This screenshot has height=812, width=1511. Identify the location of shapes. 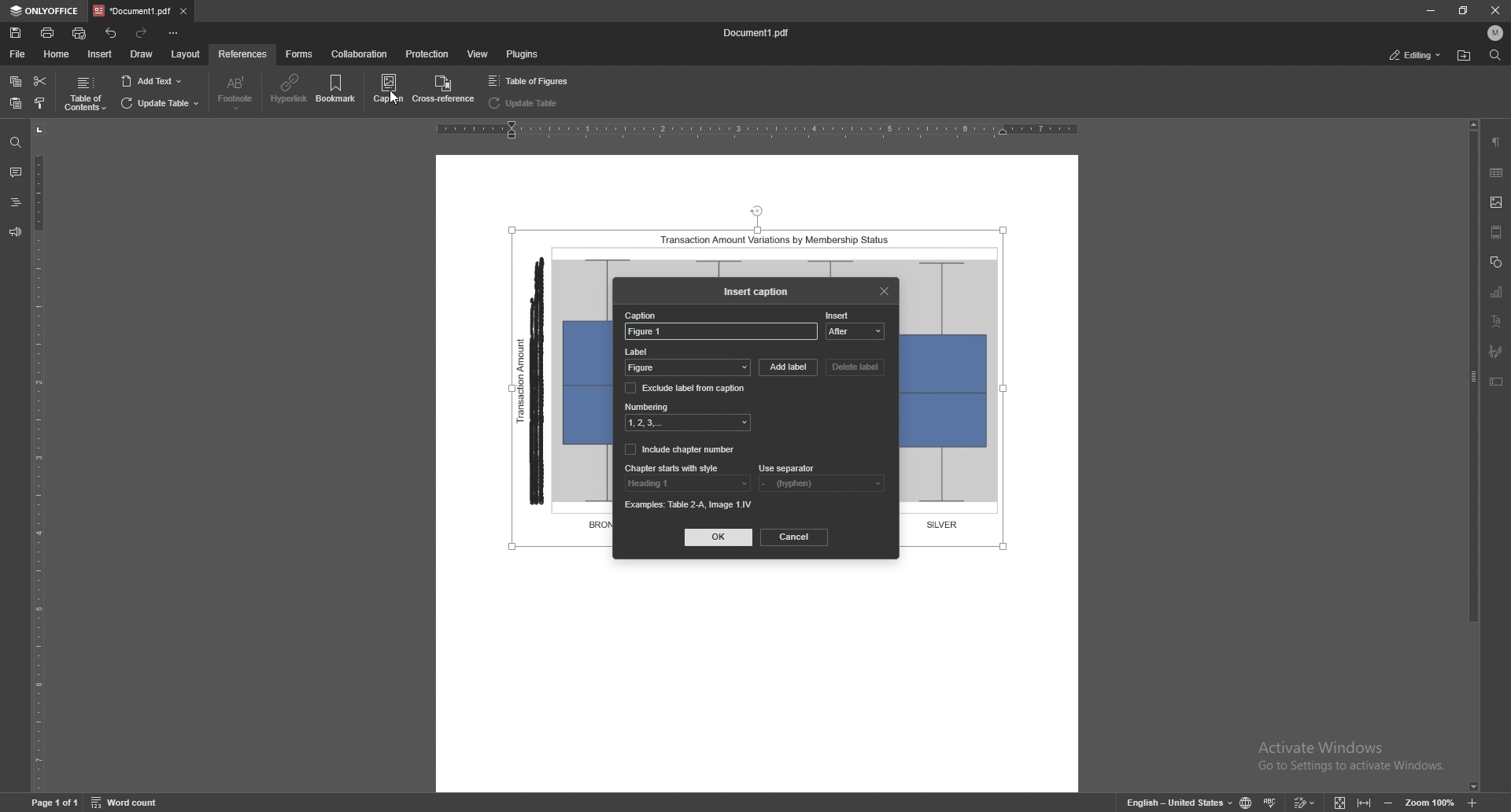
(1495, 261).